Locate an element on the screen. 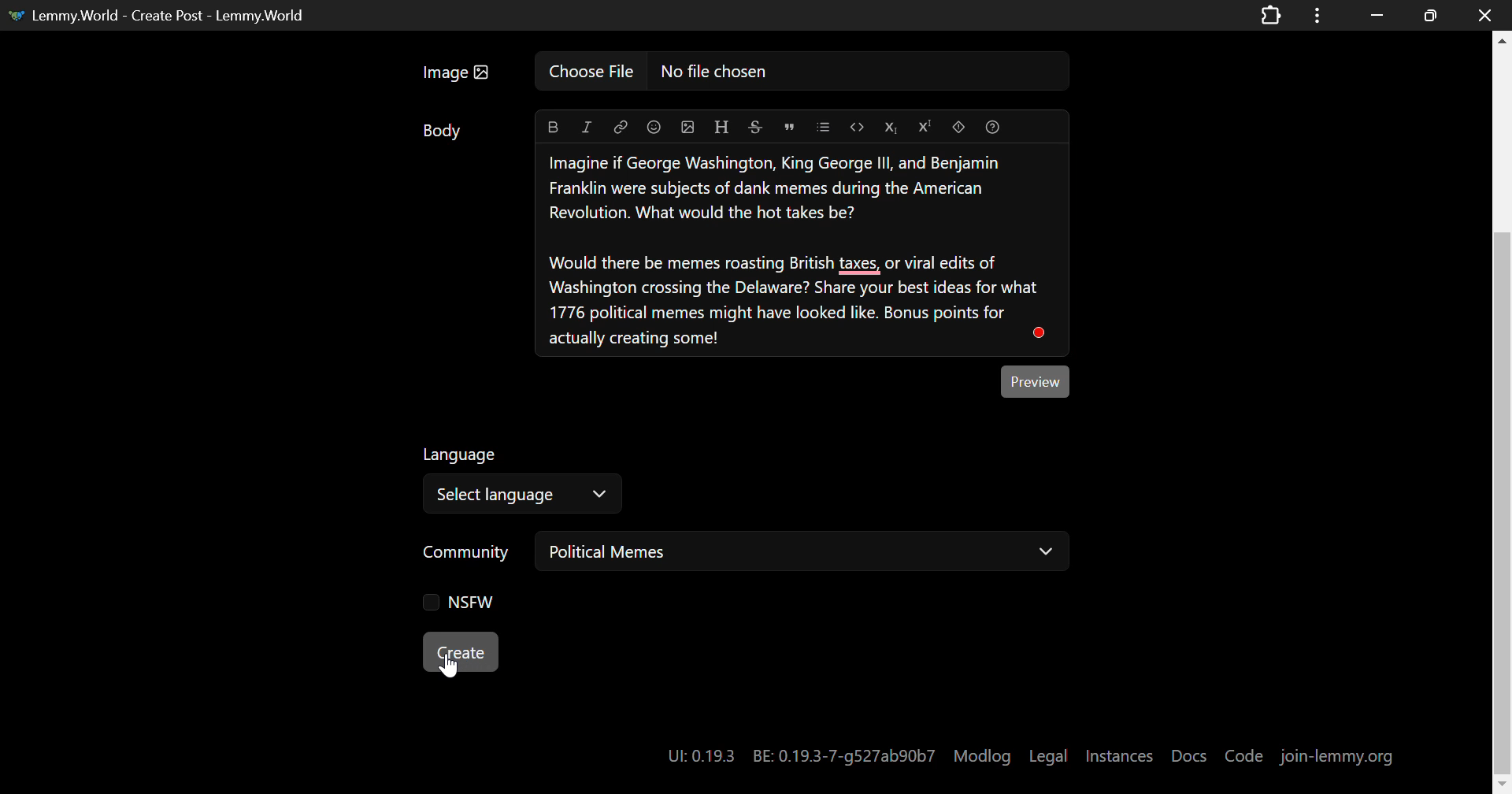 Image resolution: width=1512 pixels, height=794 pixels. NSFW Checkbox is located at coordinates (463, 599).